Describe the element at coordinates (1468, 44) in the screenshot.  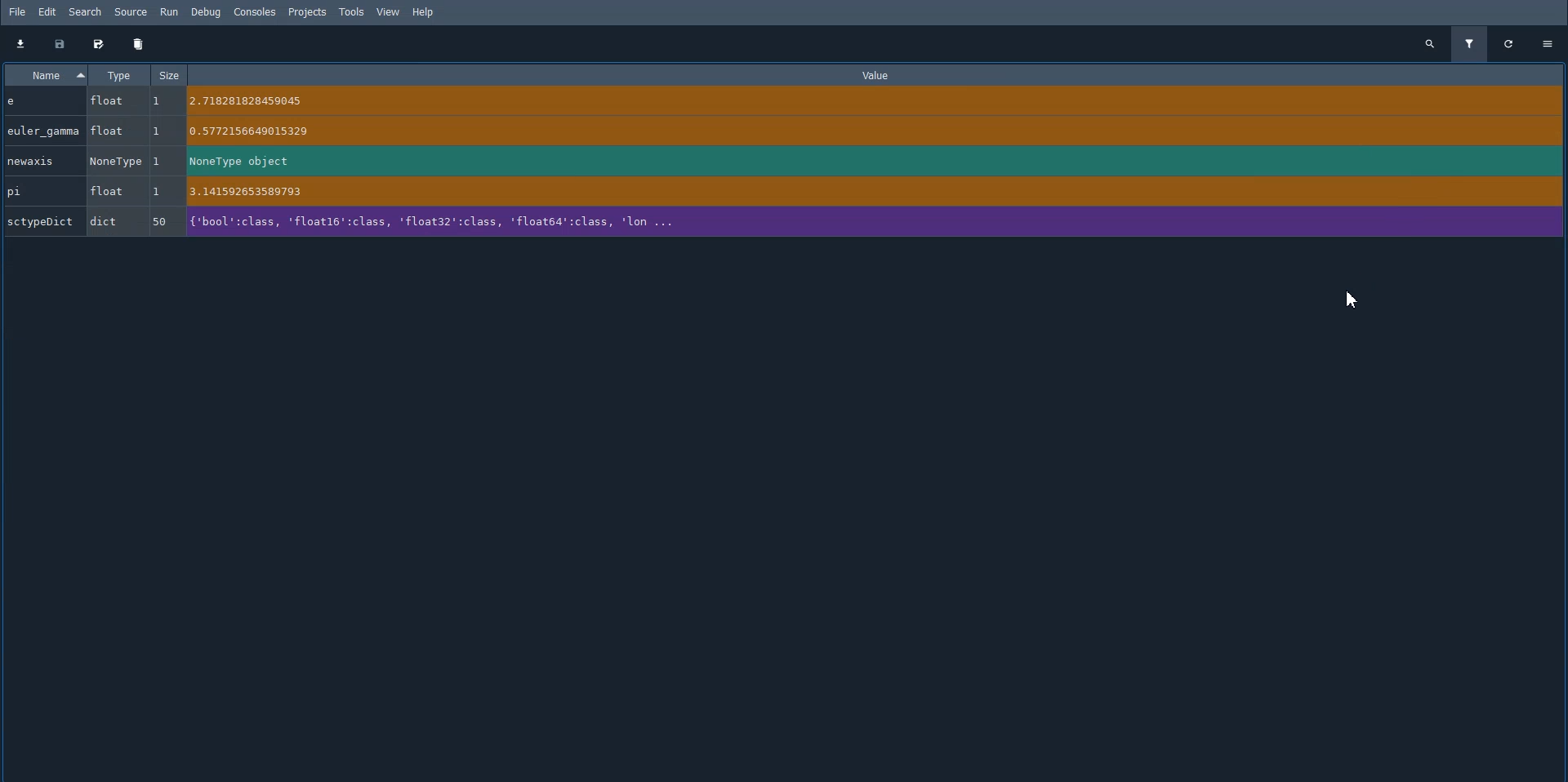
I see `Filter variables` at that location.